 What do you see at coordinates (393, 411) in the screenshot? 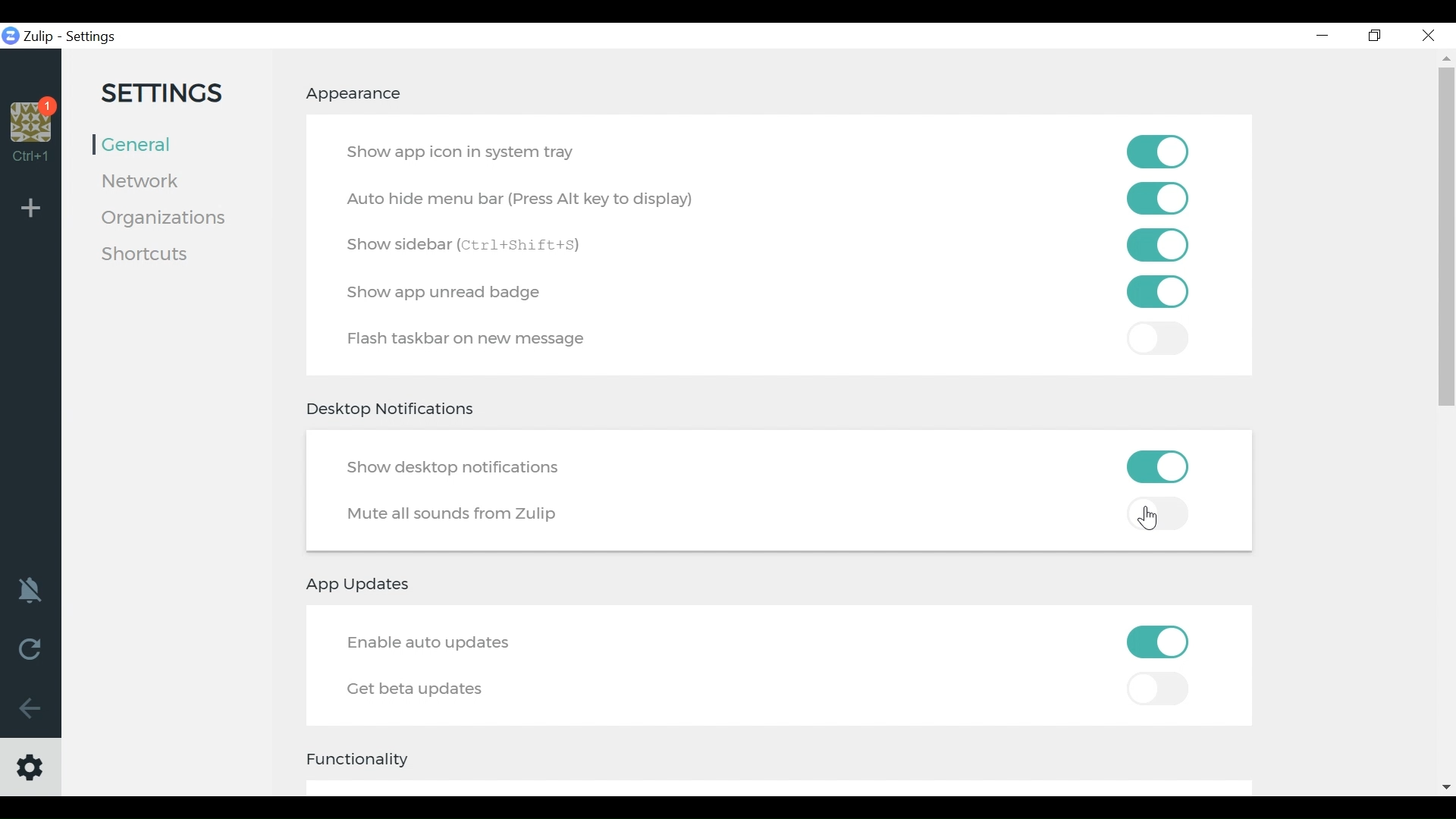
I see `Desktop Notifications` at bounding box center [393, 411].